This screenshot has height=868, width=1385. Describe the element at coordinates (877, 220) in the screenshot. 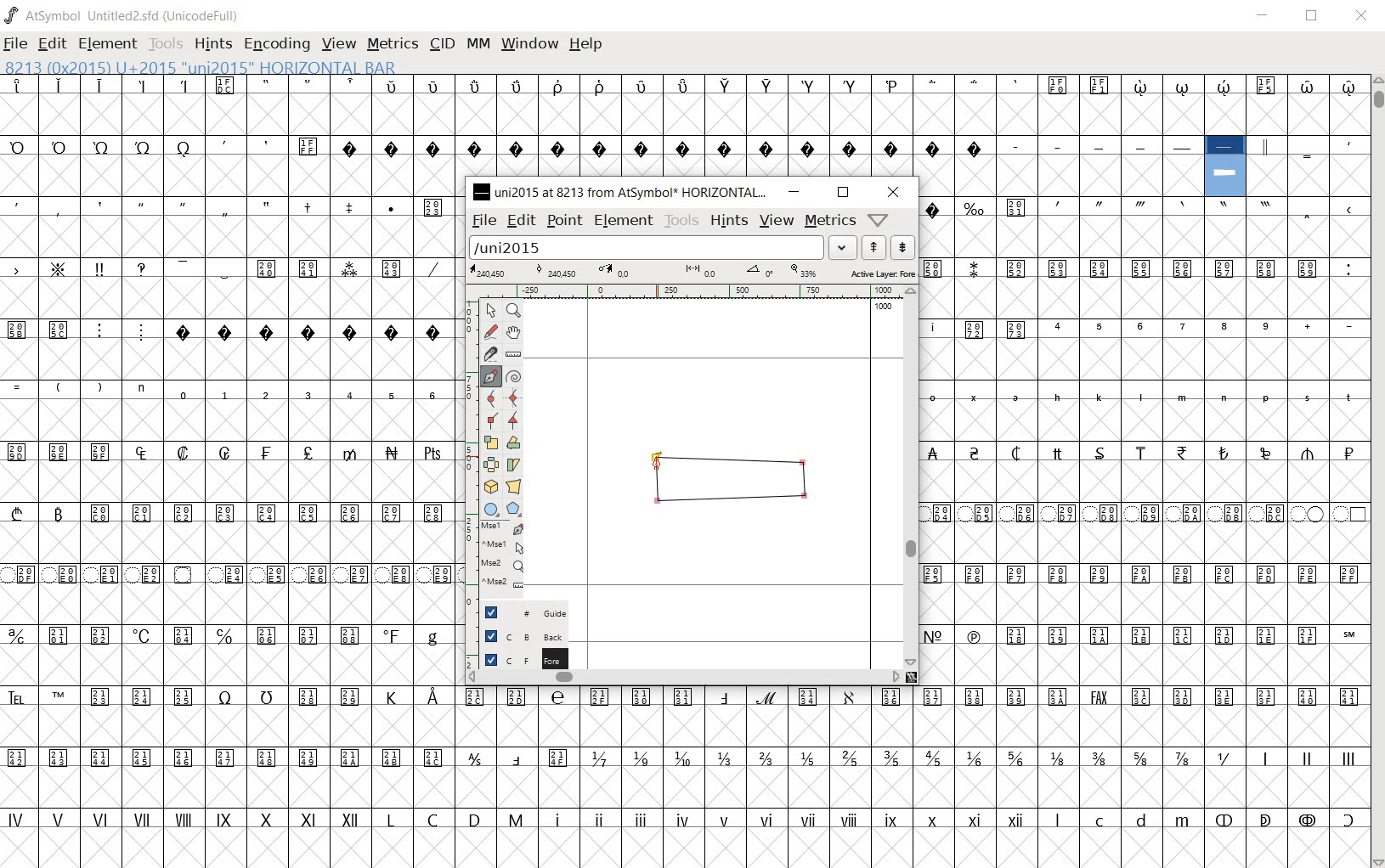

I see `help/window` at that location.